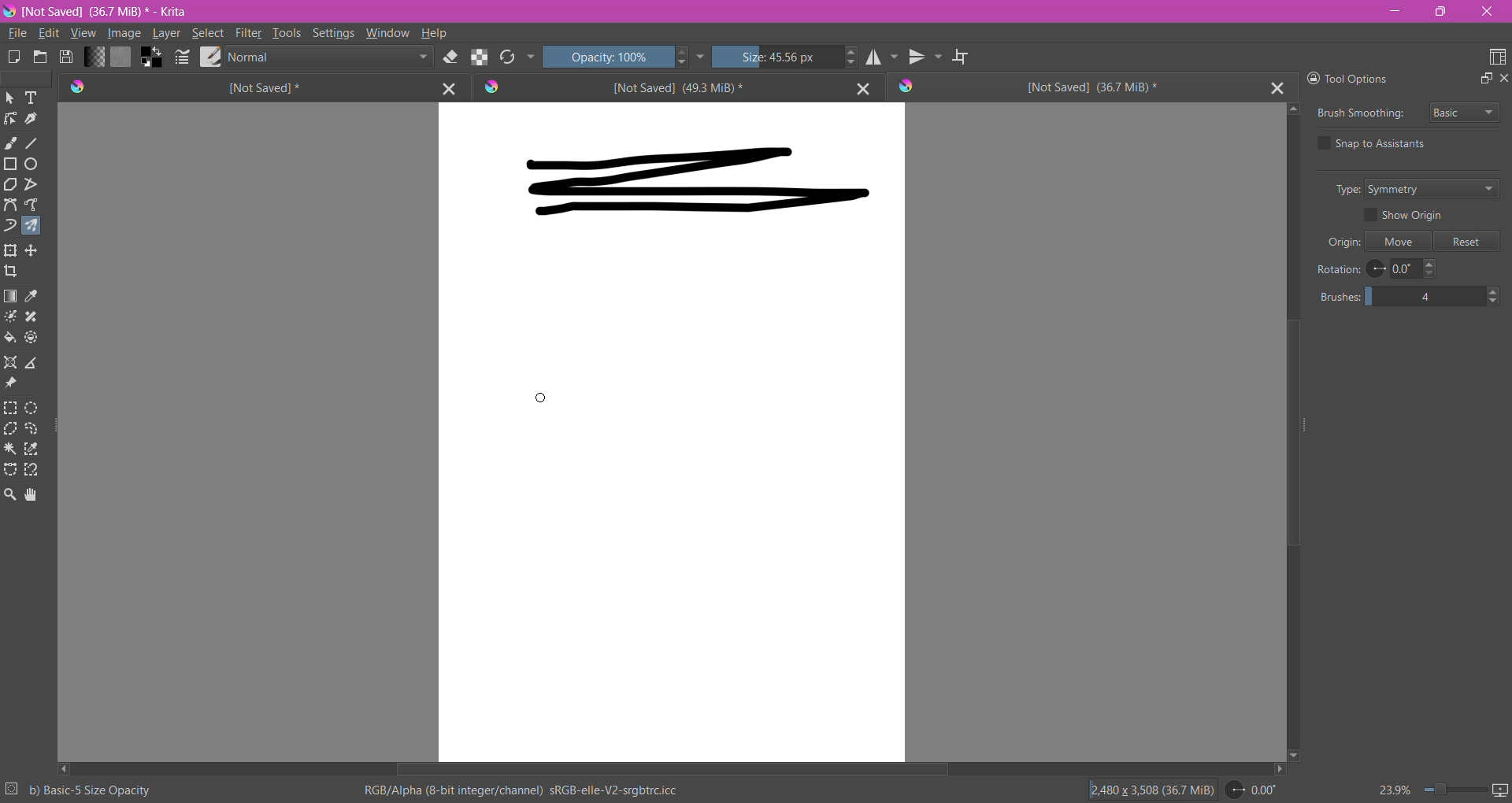 This screenshot has width=1512, height=803. What do you see at coordinates (521, 790) in the screenshot?
I see `Color Space` at bounding box center [521, 790].